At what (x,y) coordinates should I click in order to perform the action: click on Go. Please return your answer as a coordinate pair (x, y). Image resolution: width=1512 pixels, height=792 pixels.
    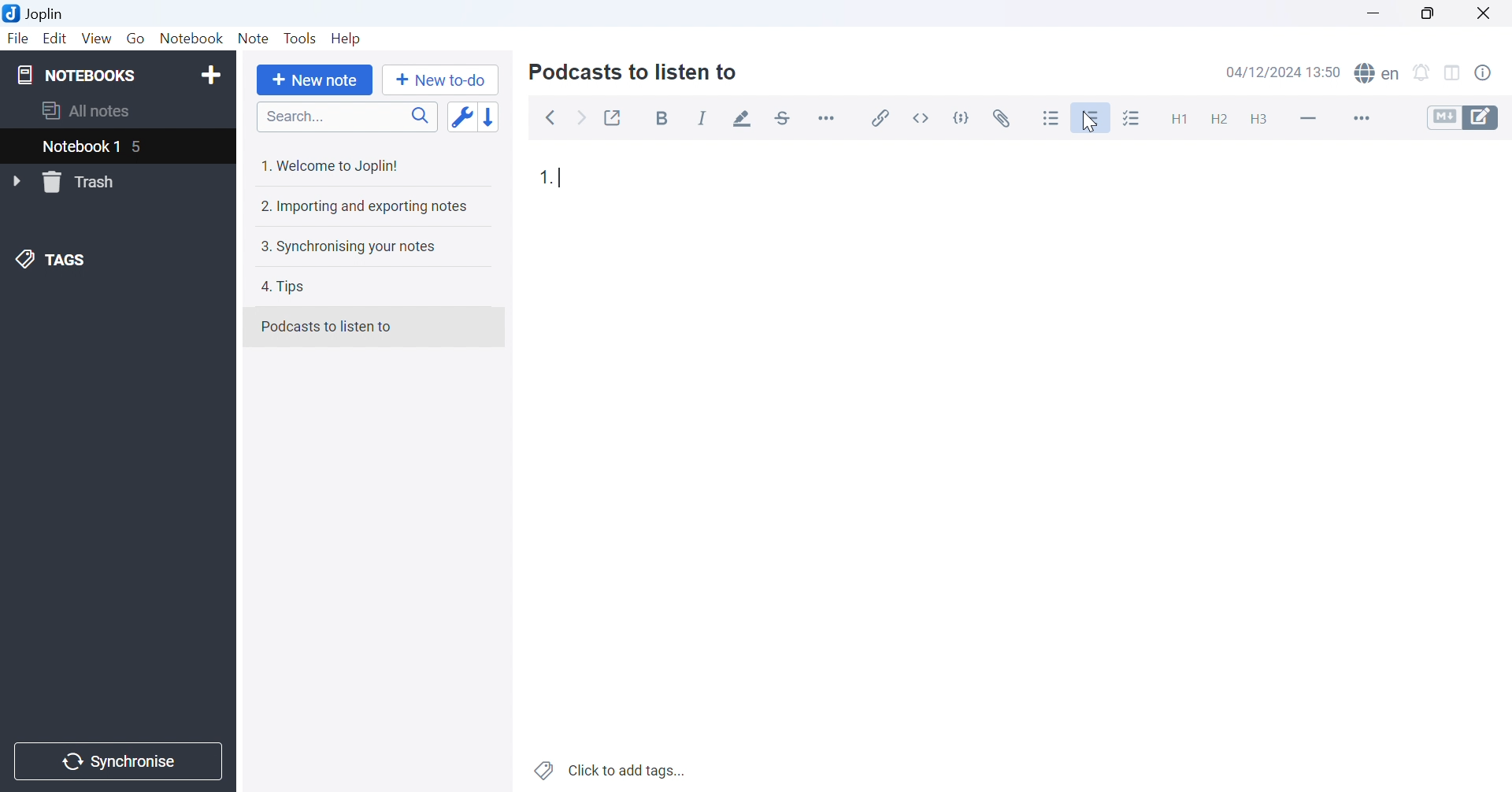
    Looking at the image, I should click on (135, 38).